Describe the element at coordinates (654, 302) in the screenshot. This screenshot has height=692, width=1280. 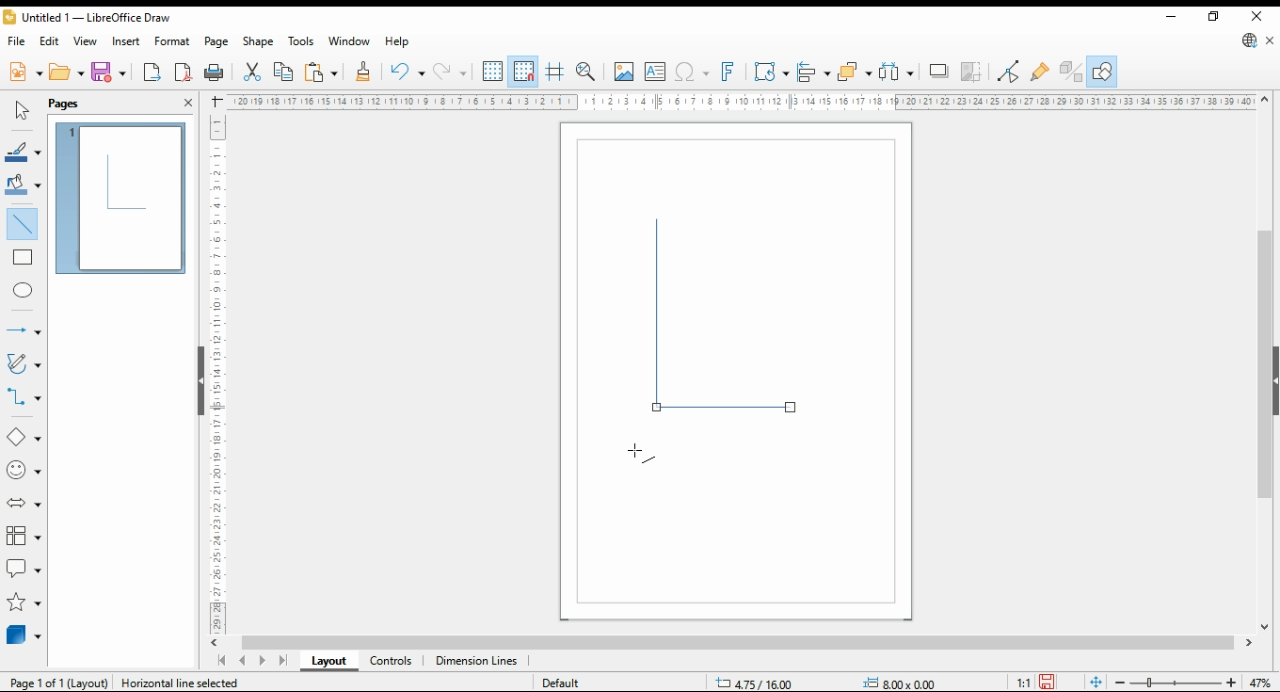
I see `new shape` at that location.